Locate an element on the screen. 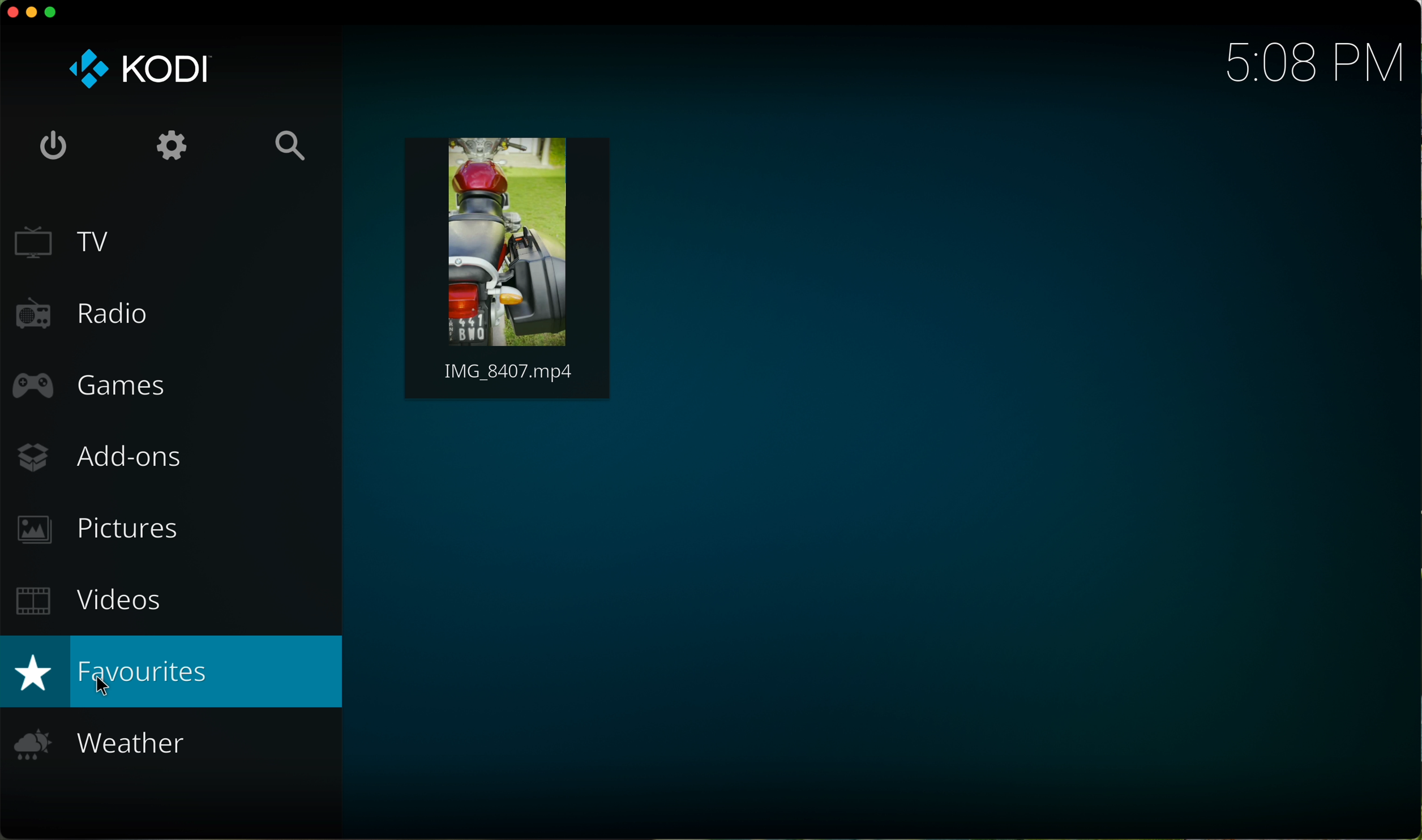 The height and width of the screenshot is (840, 1422). settings is located at coordinates (174, 144).